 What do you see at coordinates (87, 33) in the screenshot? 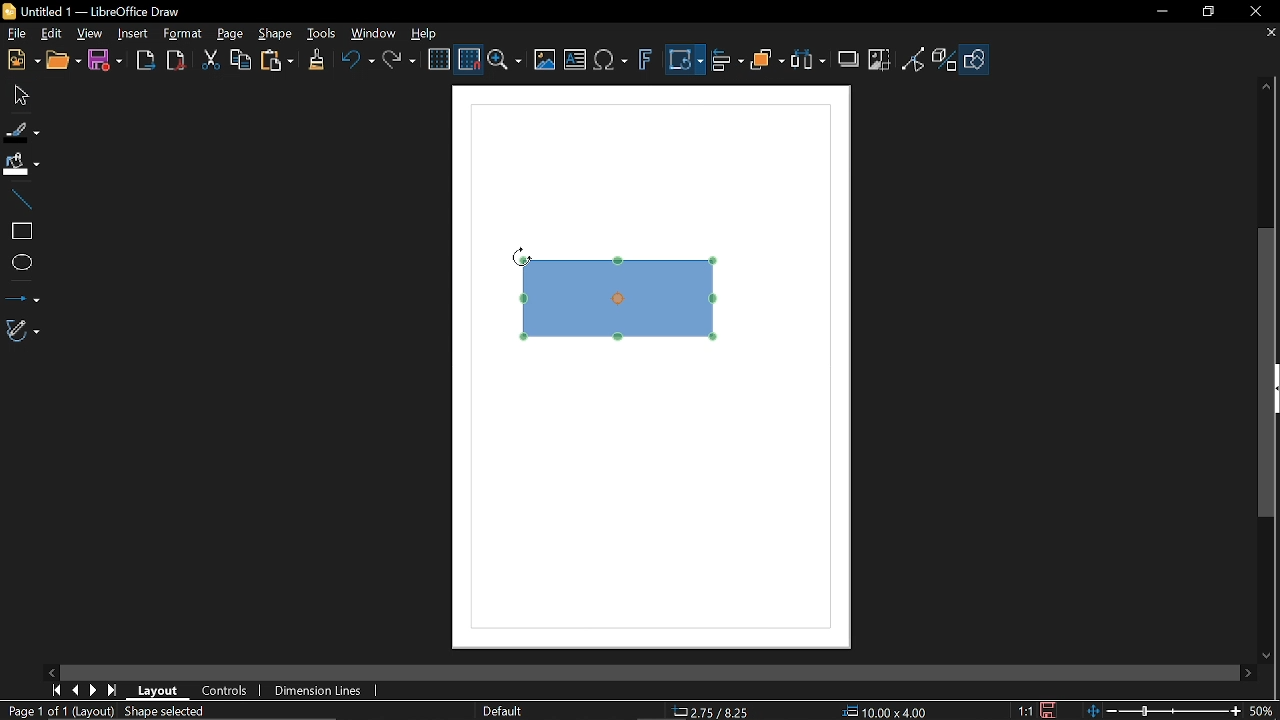
I see `View` at bounding box center [87, 33].